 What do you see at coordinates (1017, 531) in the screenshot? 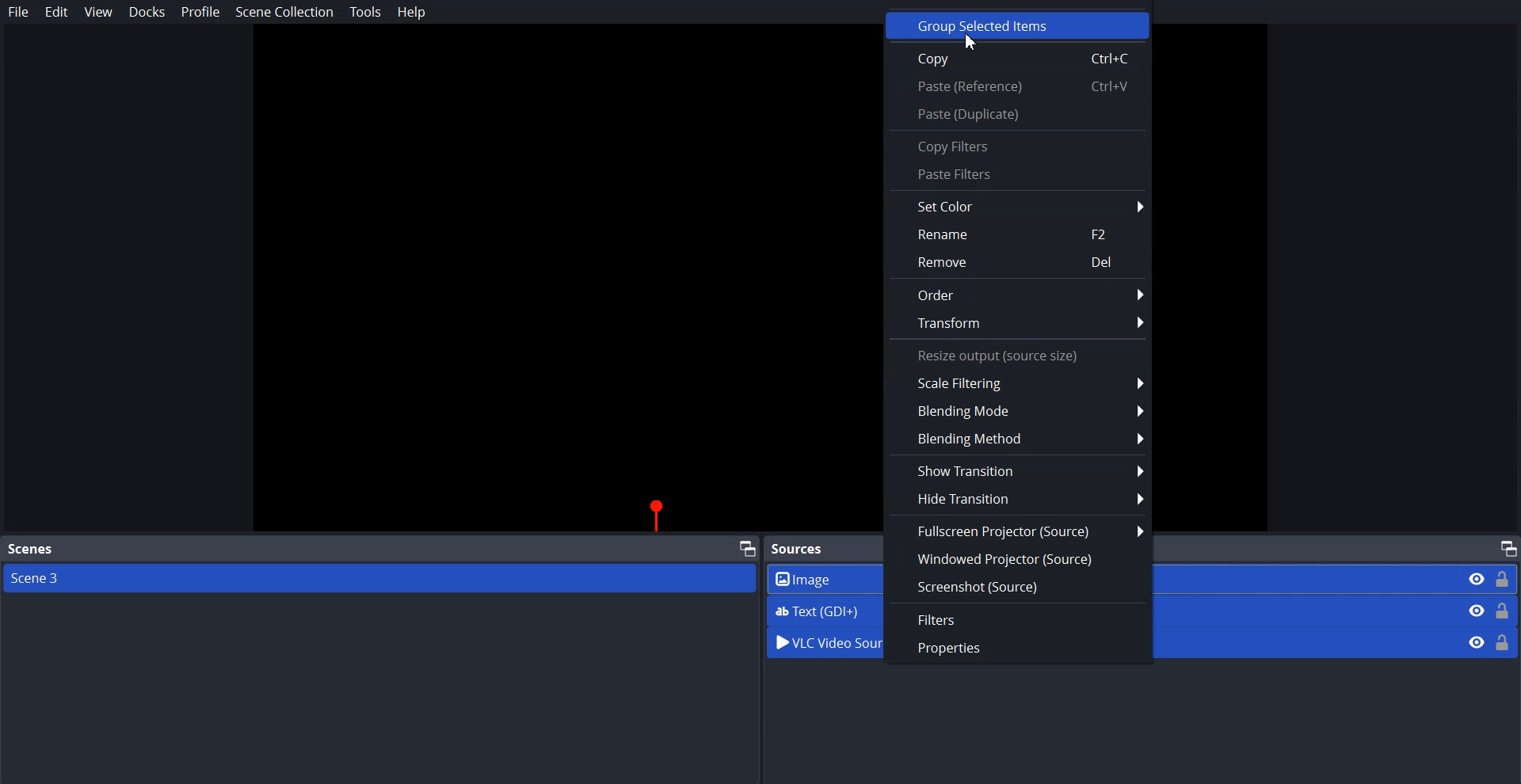
I see `Fullscreen Projector` at bounding box center [1017, 531].